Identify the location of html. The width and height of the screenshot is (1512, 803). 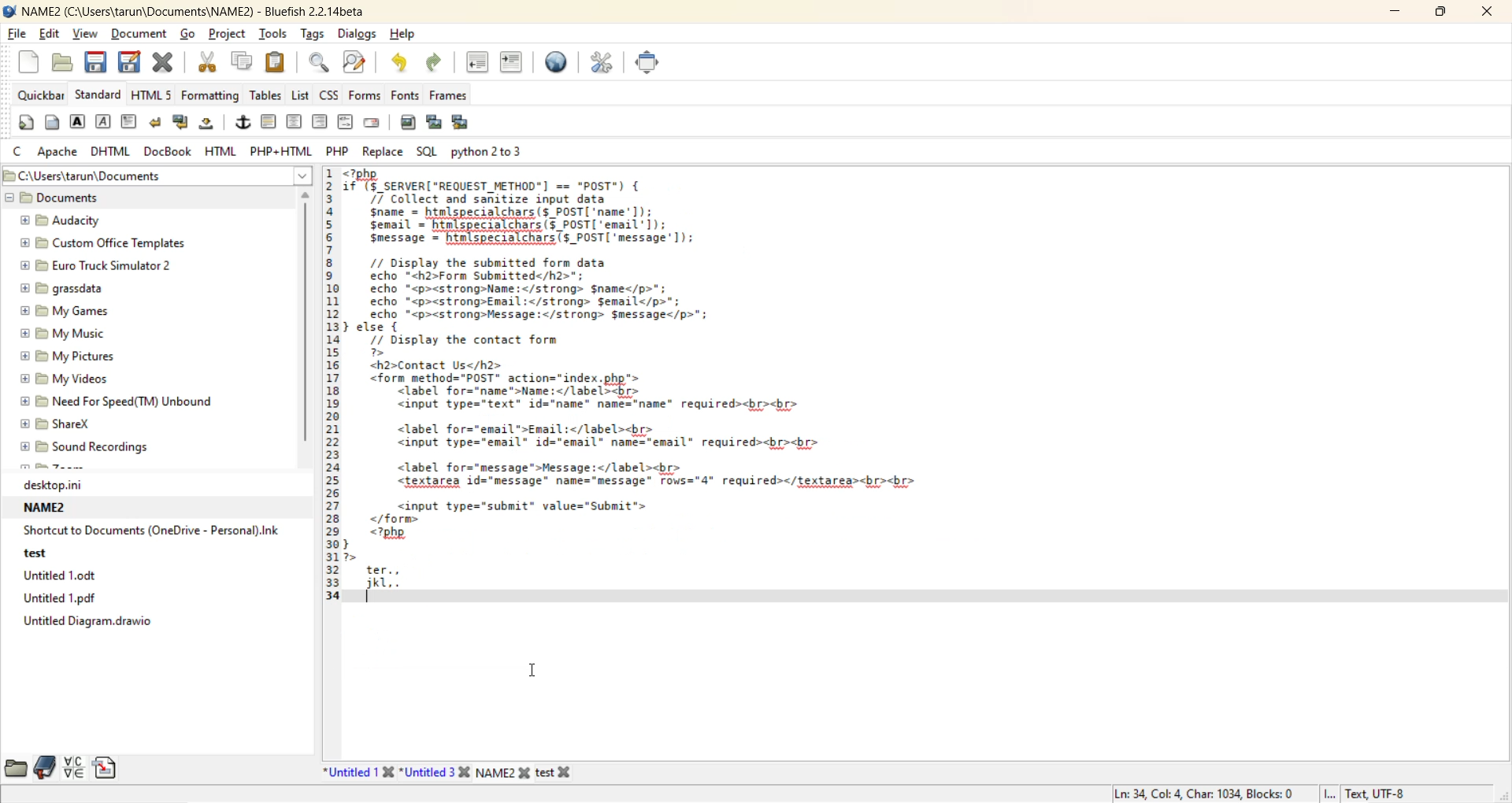
(220, 151).